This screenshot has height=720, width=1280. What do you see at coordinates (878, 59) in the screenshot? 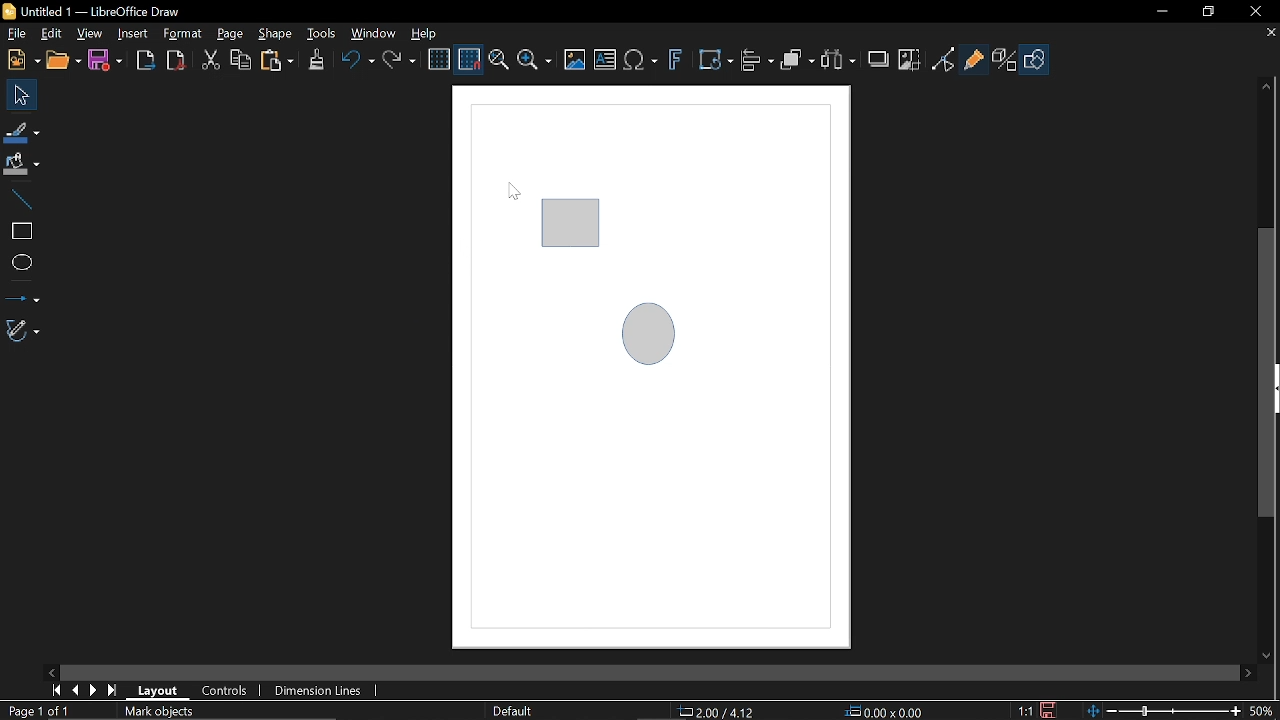
I see `Shadow` at bounding box center [878, 59].